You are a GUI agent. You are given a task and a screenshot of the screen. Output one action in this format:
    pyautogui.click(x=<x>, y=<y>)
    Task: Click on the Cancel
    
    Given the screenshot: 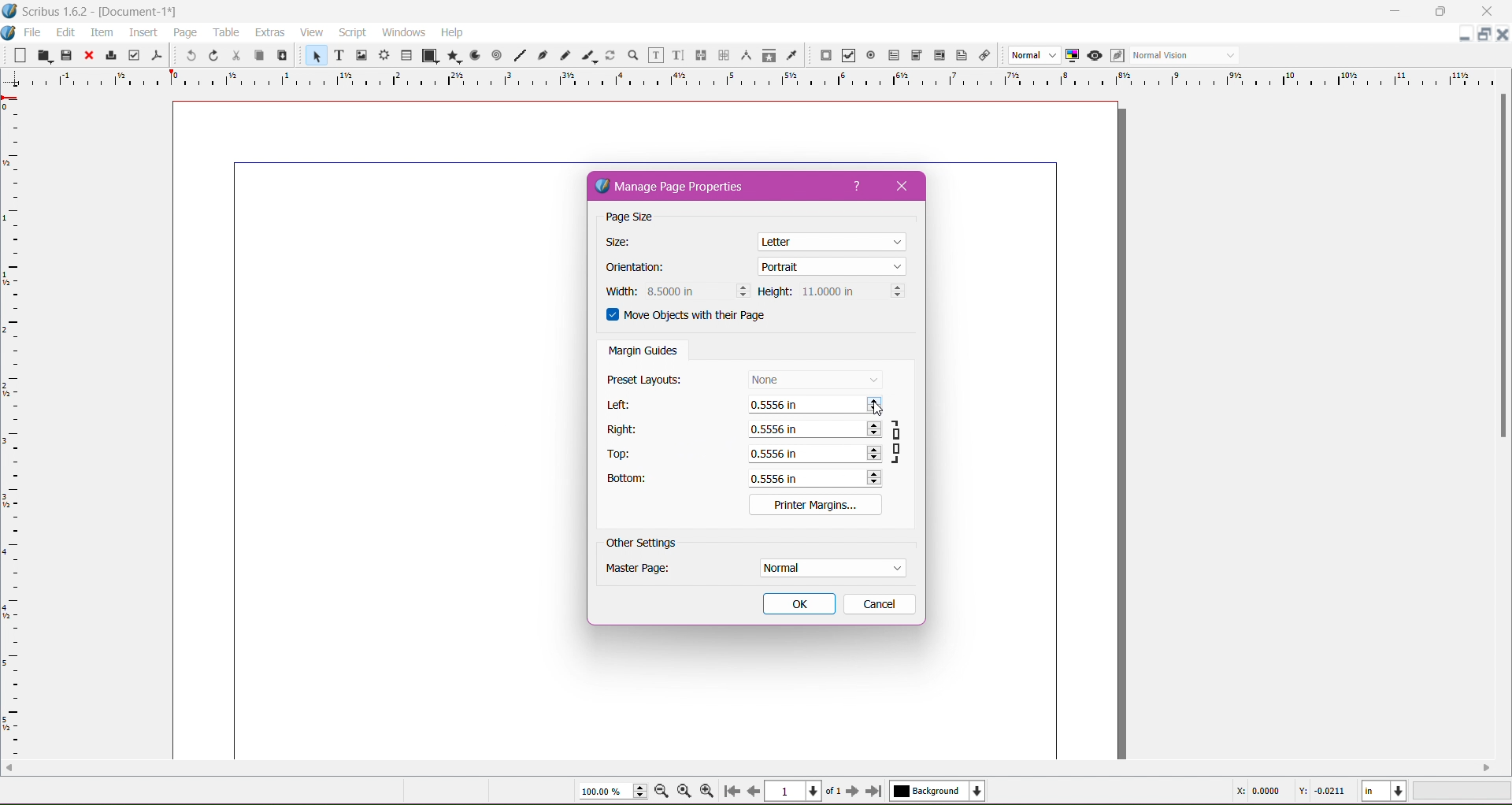 What is the action you would take?
    pyautogui.click(x=878, y=603)
    